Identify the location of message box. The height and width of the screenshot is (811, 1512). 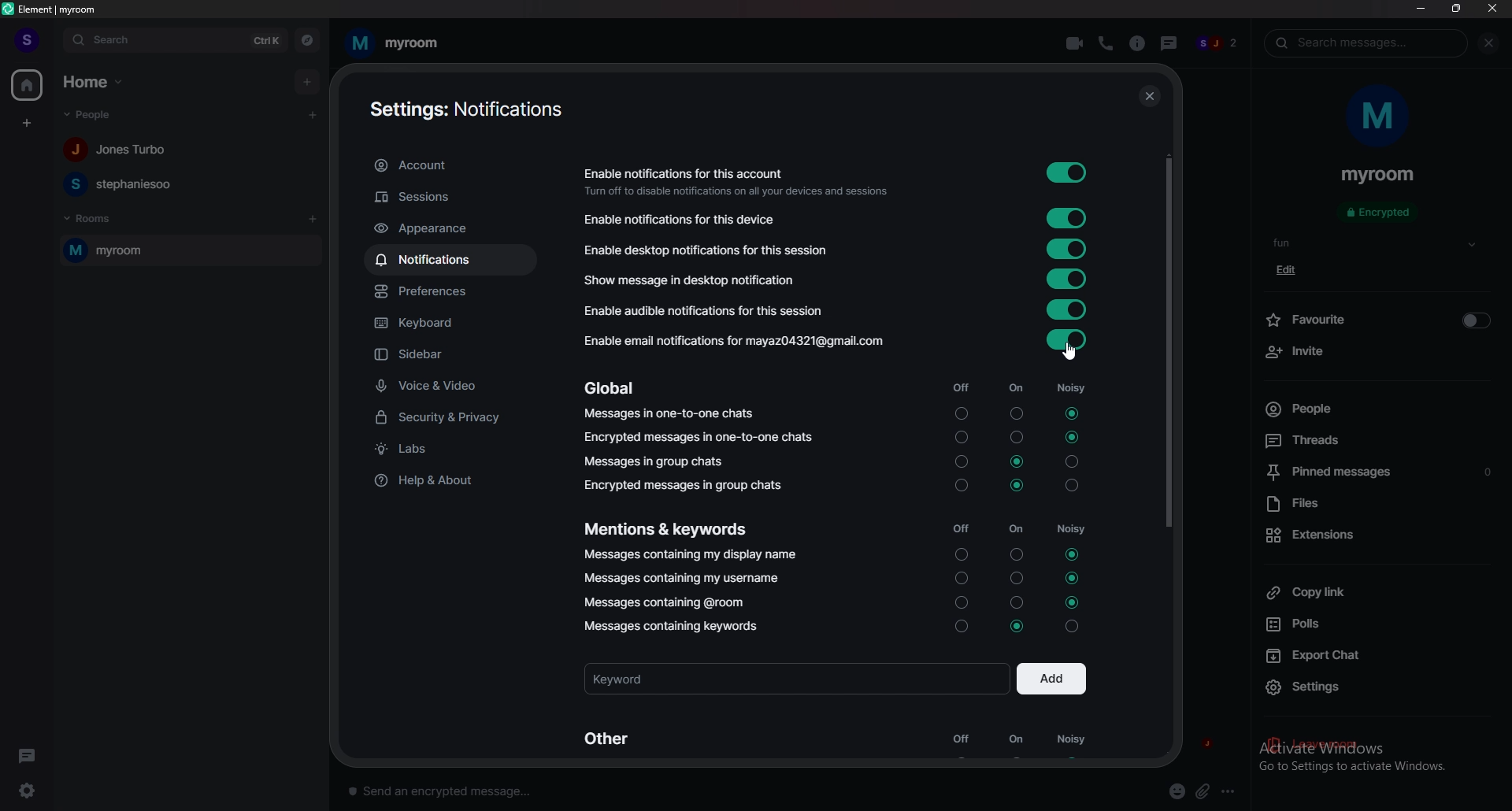
(447, 789).